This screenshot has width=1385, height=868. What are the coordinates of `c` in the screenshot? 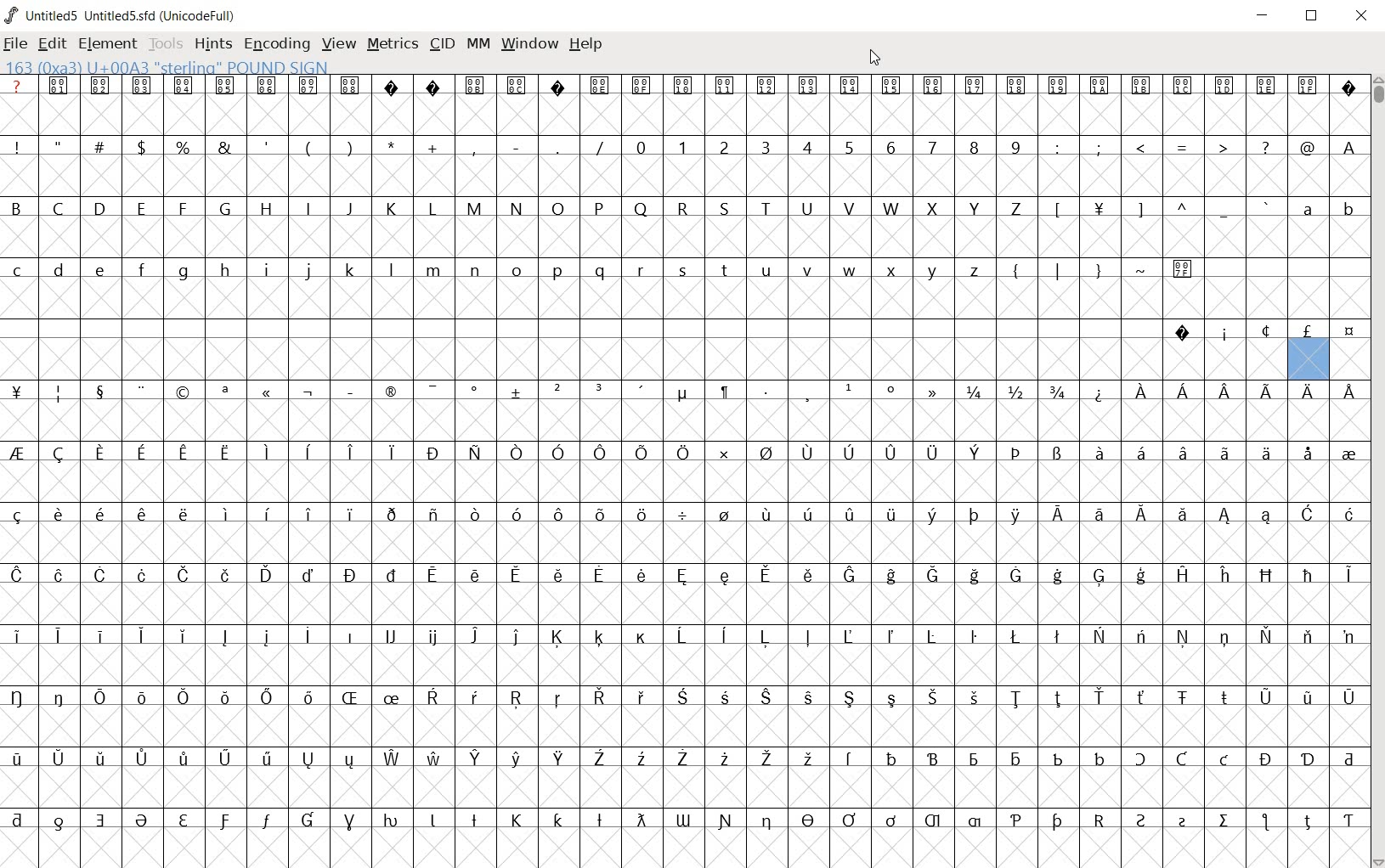 It's located at (19, 270).